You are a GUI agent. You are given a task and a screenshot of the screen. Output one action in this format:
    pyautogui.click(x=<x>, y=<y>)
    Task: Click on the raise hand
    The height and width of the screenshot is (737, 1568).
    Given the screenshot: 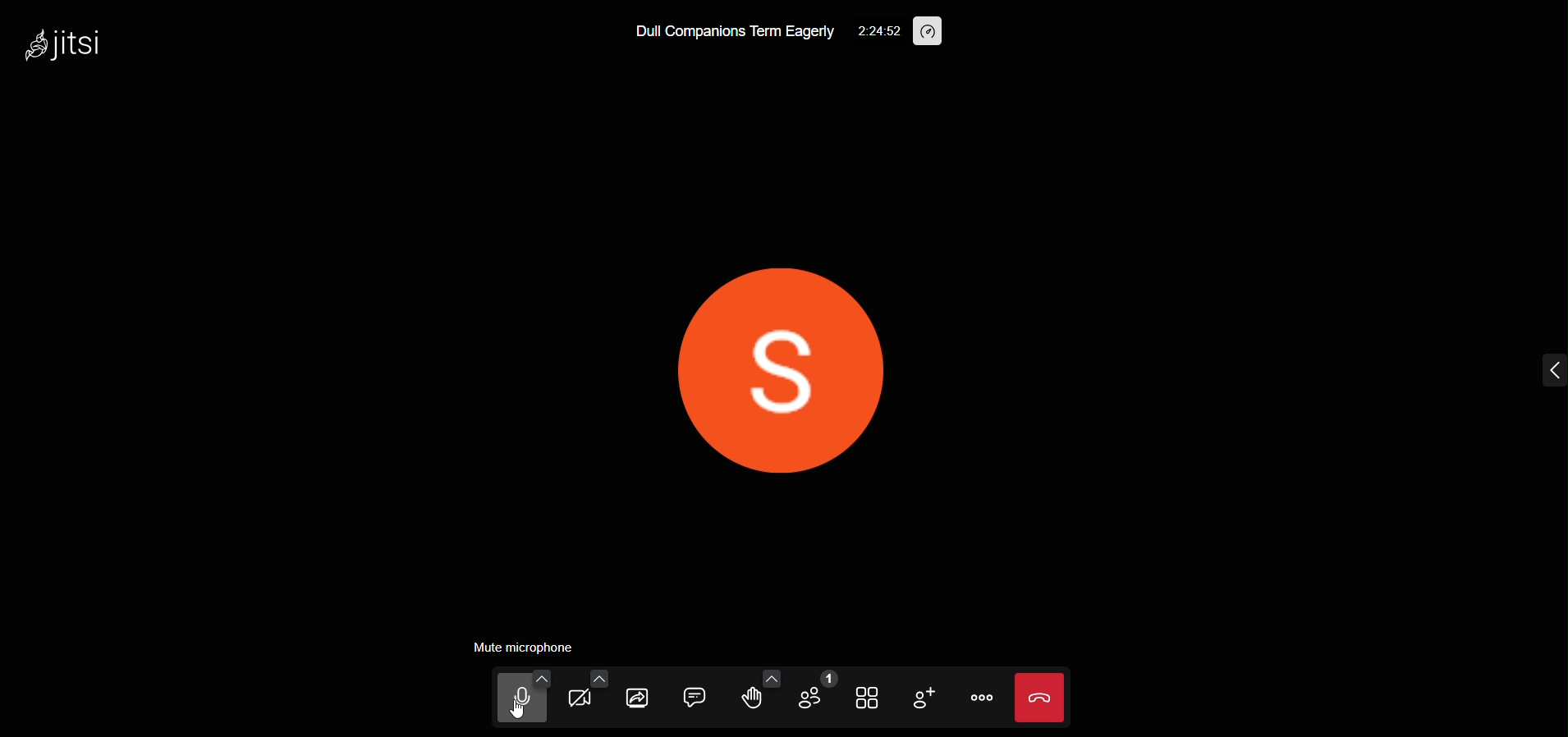 What is the action you would take?
    pyautogui.click(x=745, y=699)
    